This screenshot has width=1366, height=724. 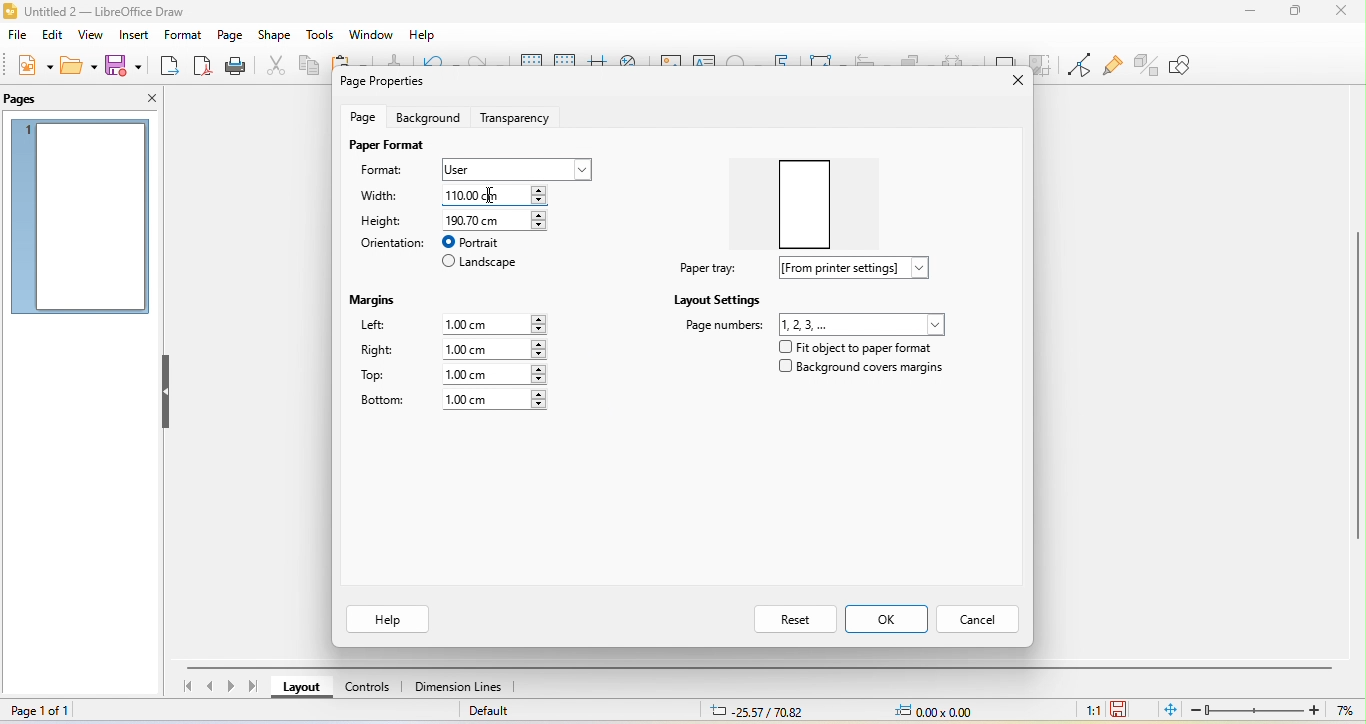 What do you see at coordinates (501, 713) in the screenshot?
I see `default` at bounding box center [501, 713].